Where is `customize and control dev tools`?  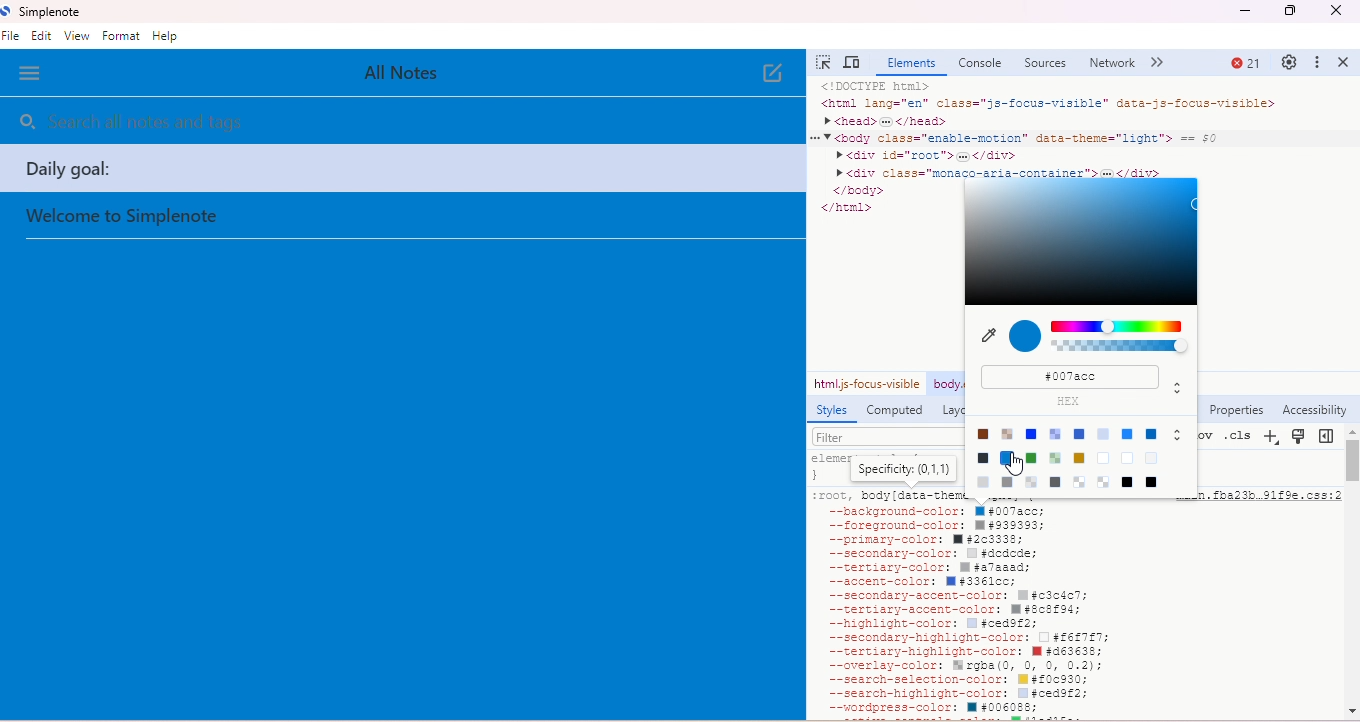 customize and control dev tools is located at coordinates (1318, 63).